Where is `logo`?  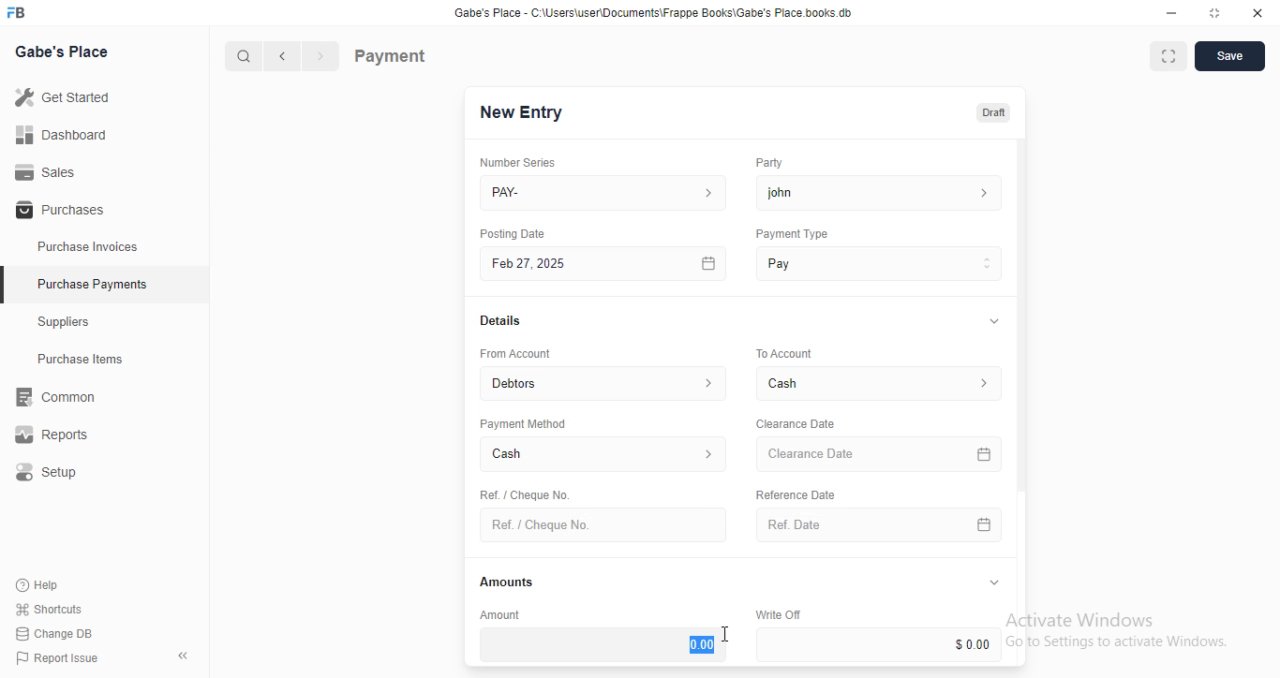
logo is located at coordinates (22, 13).